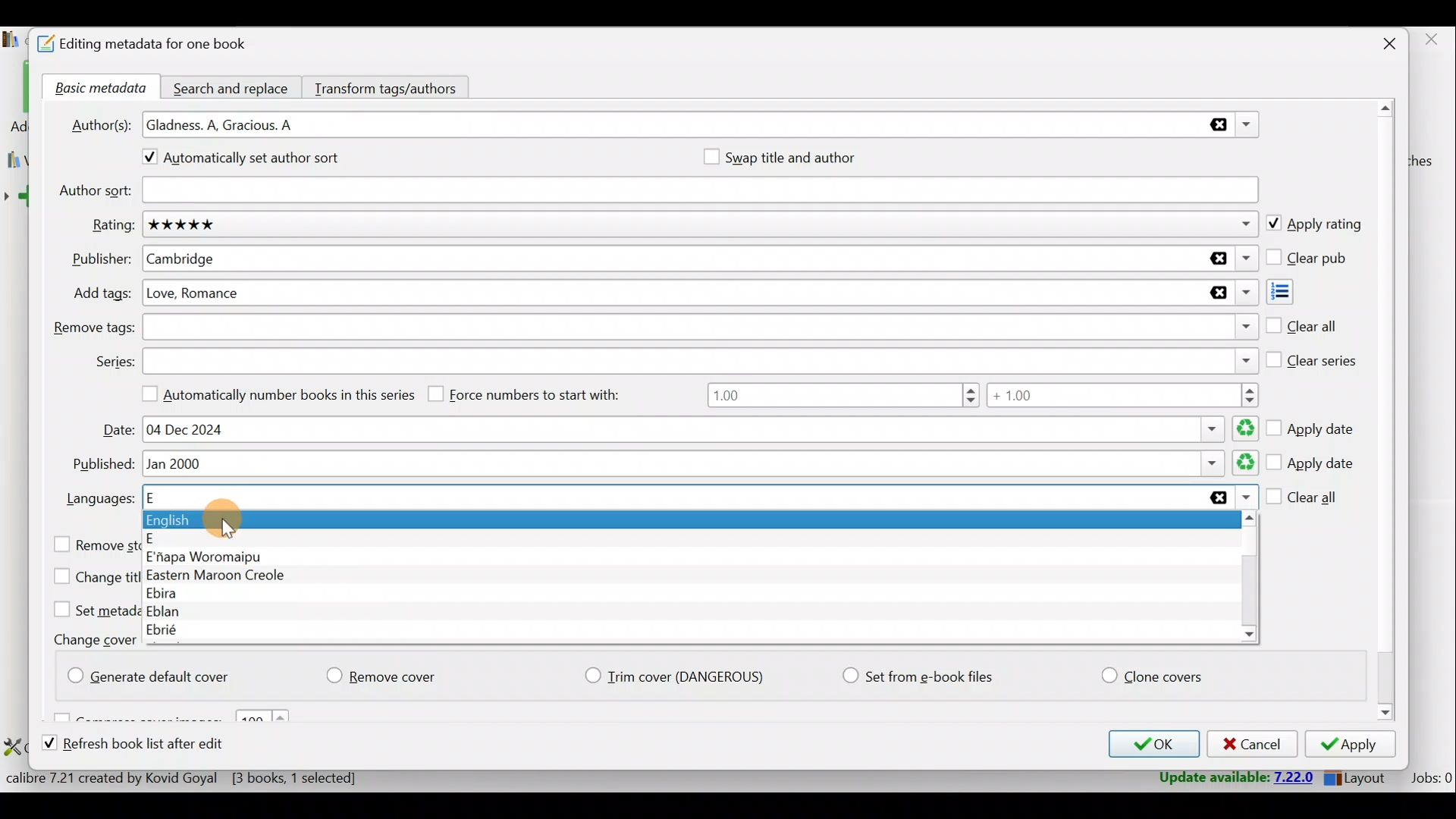 Image resolution: width=1456 pixels, height=819 pixels. I want to click on Scroll bar, so click(1257, 574).